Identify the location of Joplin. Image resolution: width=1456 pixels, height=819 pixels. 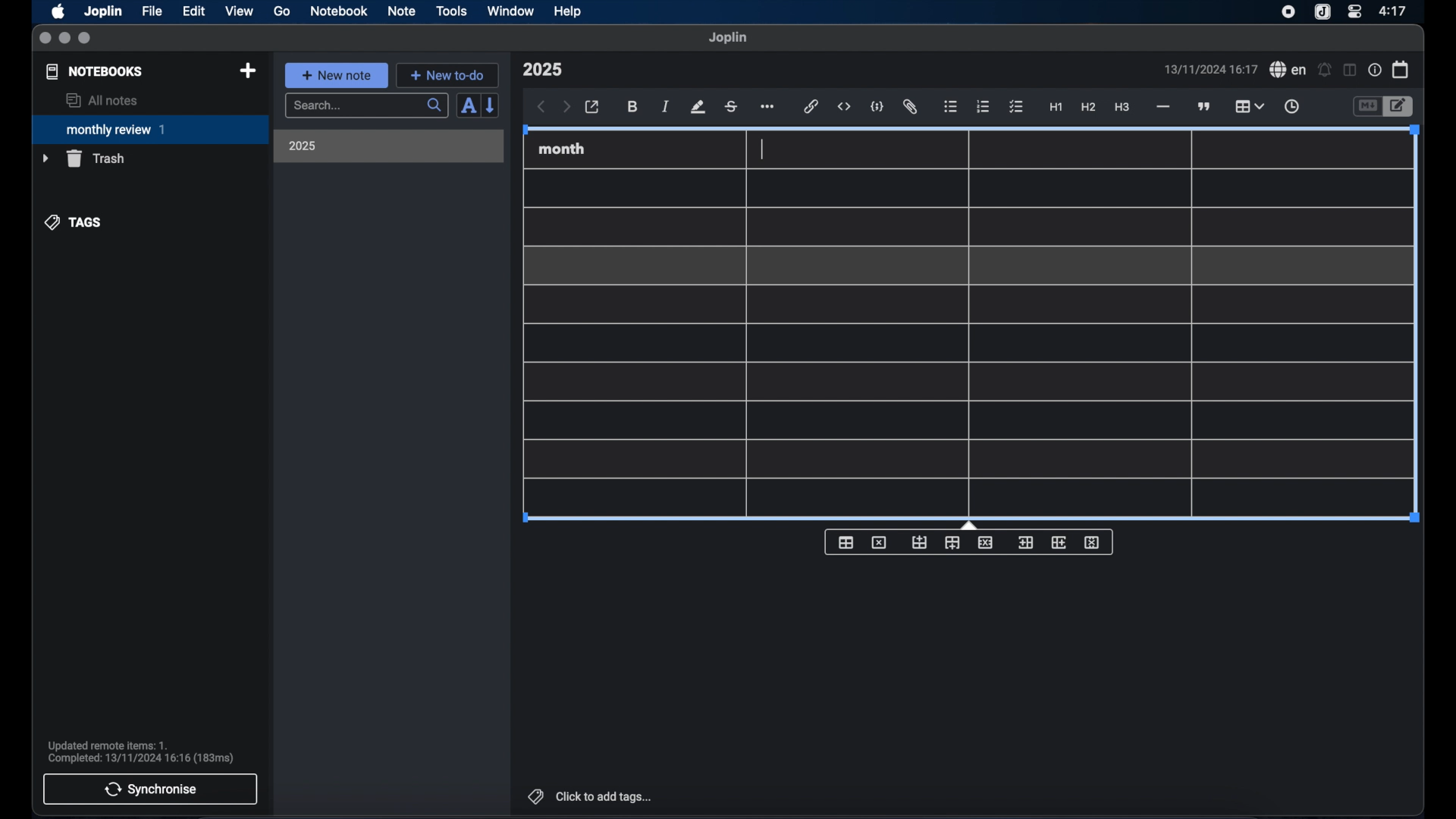
(105, 12).